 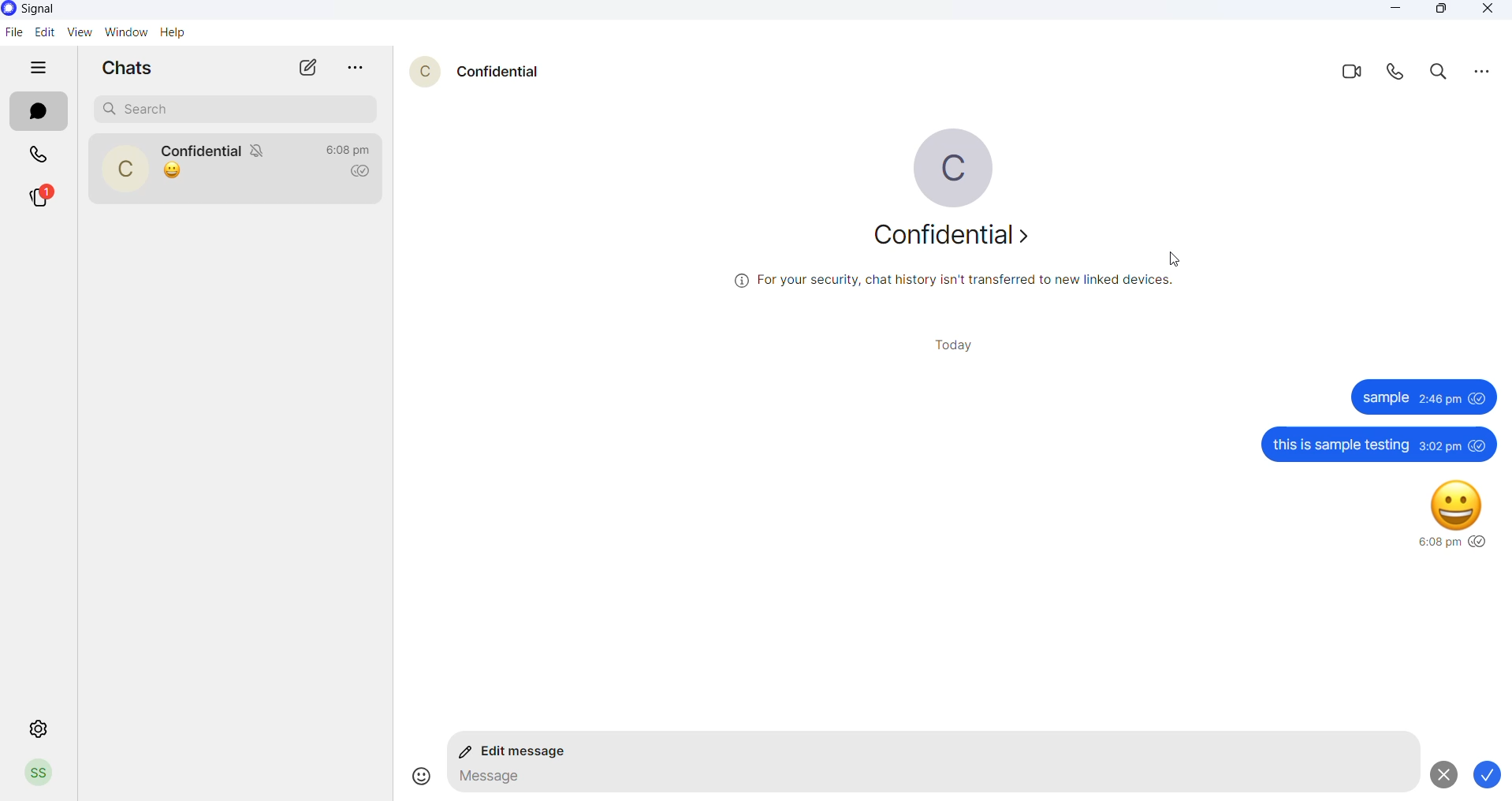 I want to click on profile picture, so click(x=417, y=69).